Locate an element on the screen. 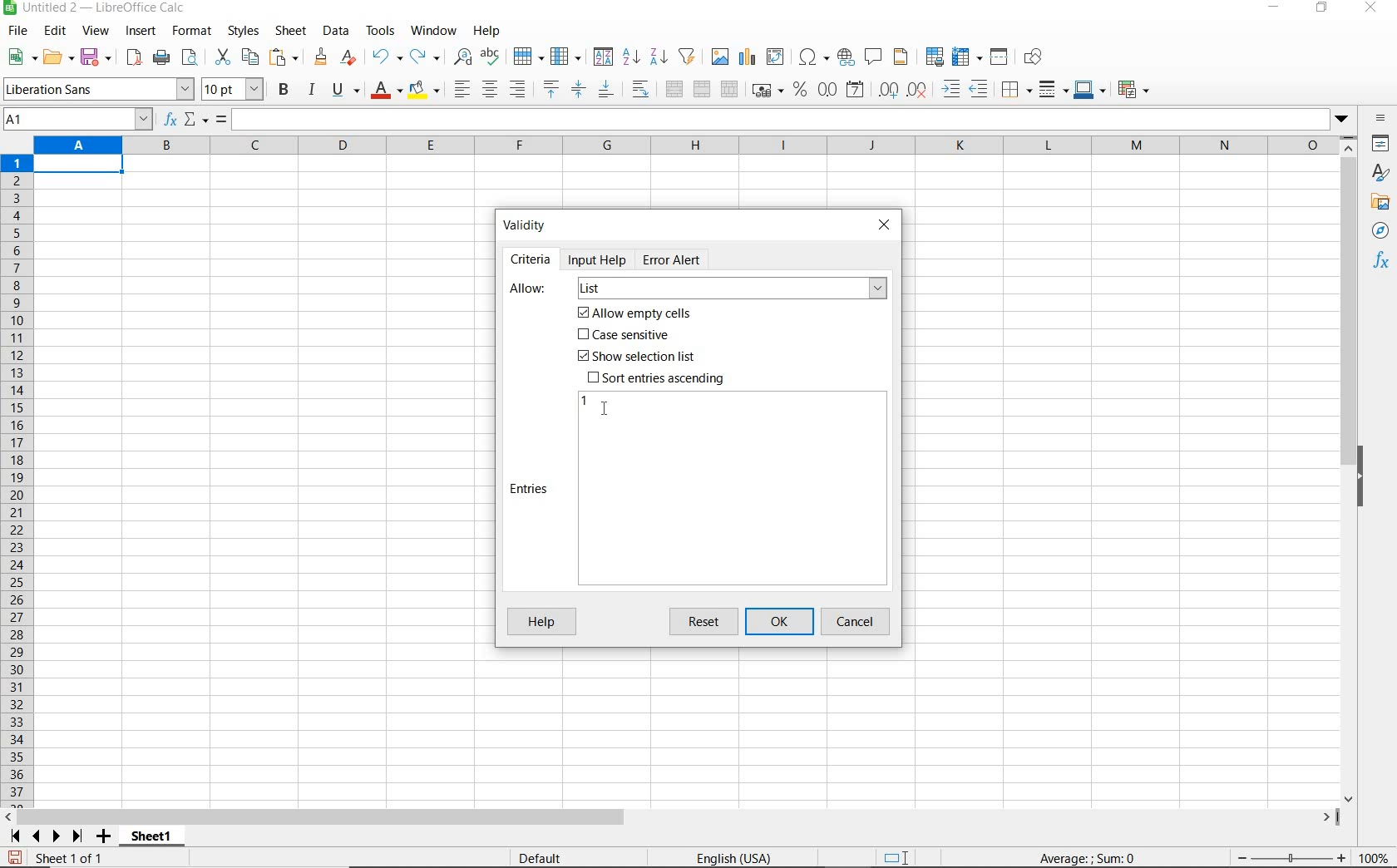 Image resolution: width=1397 pixels, height=868 pixels. format as currency is located at coordinates (767, 88).